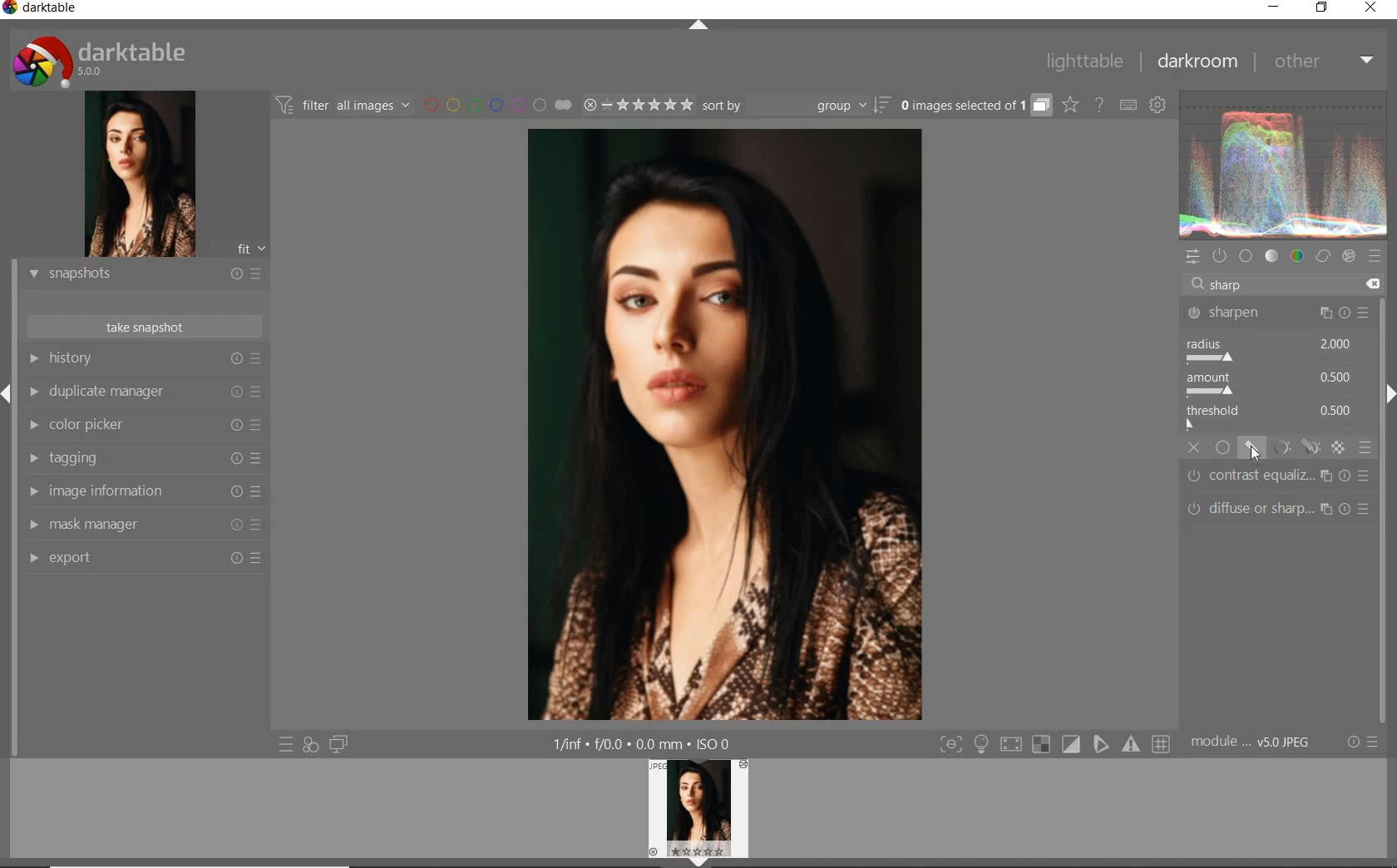 The height and width of the screenshot is (868, 1397). Describe the element at coordinates (644, 743) in the screenshot. I see `1/inf*f/0.0 mm*ISO 0` at that location.